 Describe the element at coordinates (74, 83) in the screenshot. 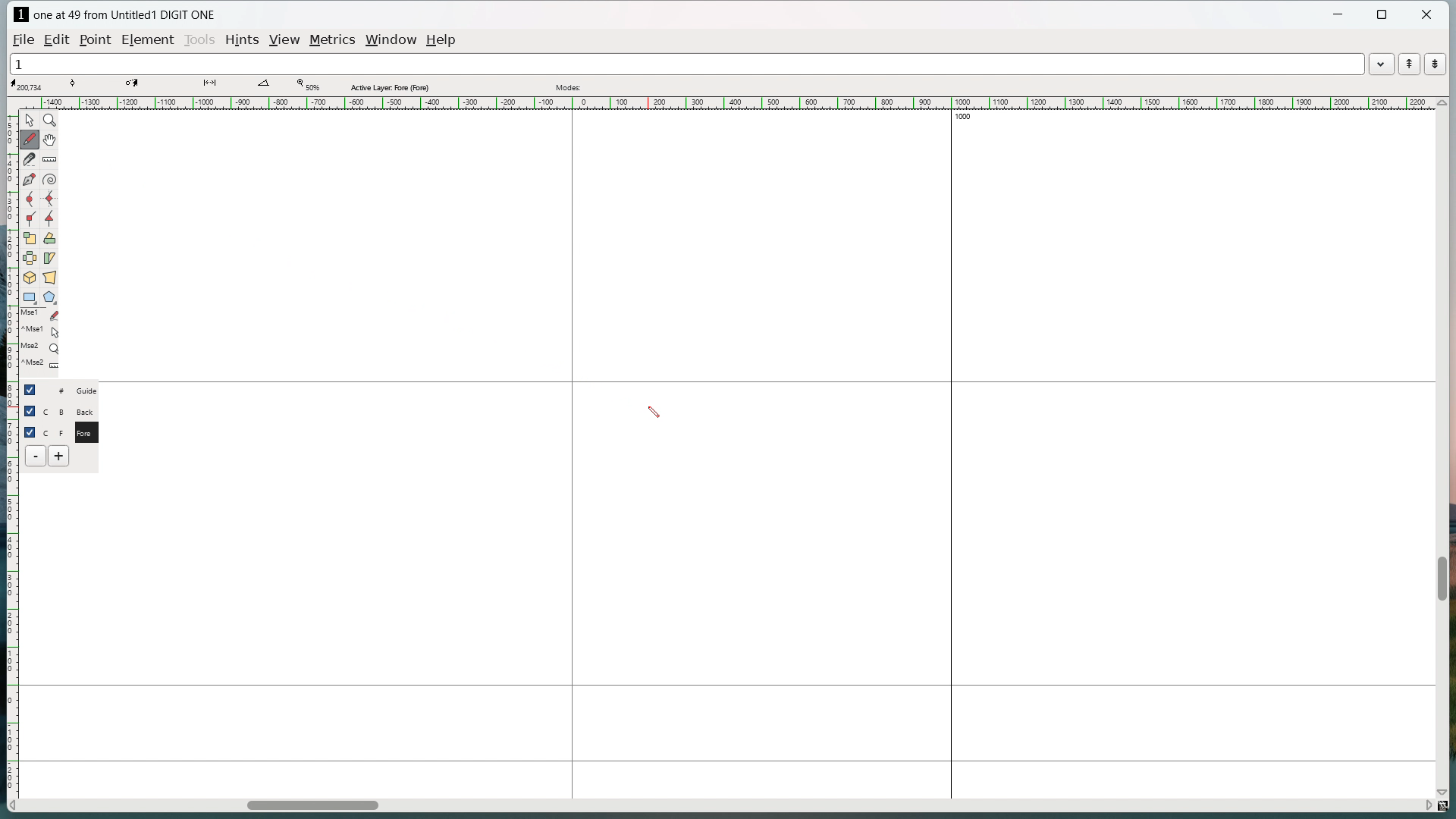

I see `tangent` at that location.